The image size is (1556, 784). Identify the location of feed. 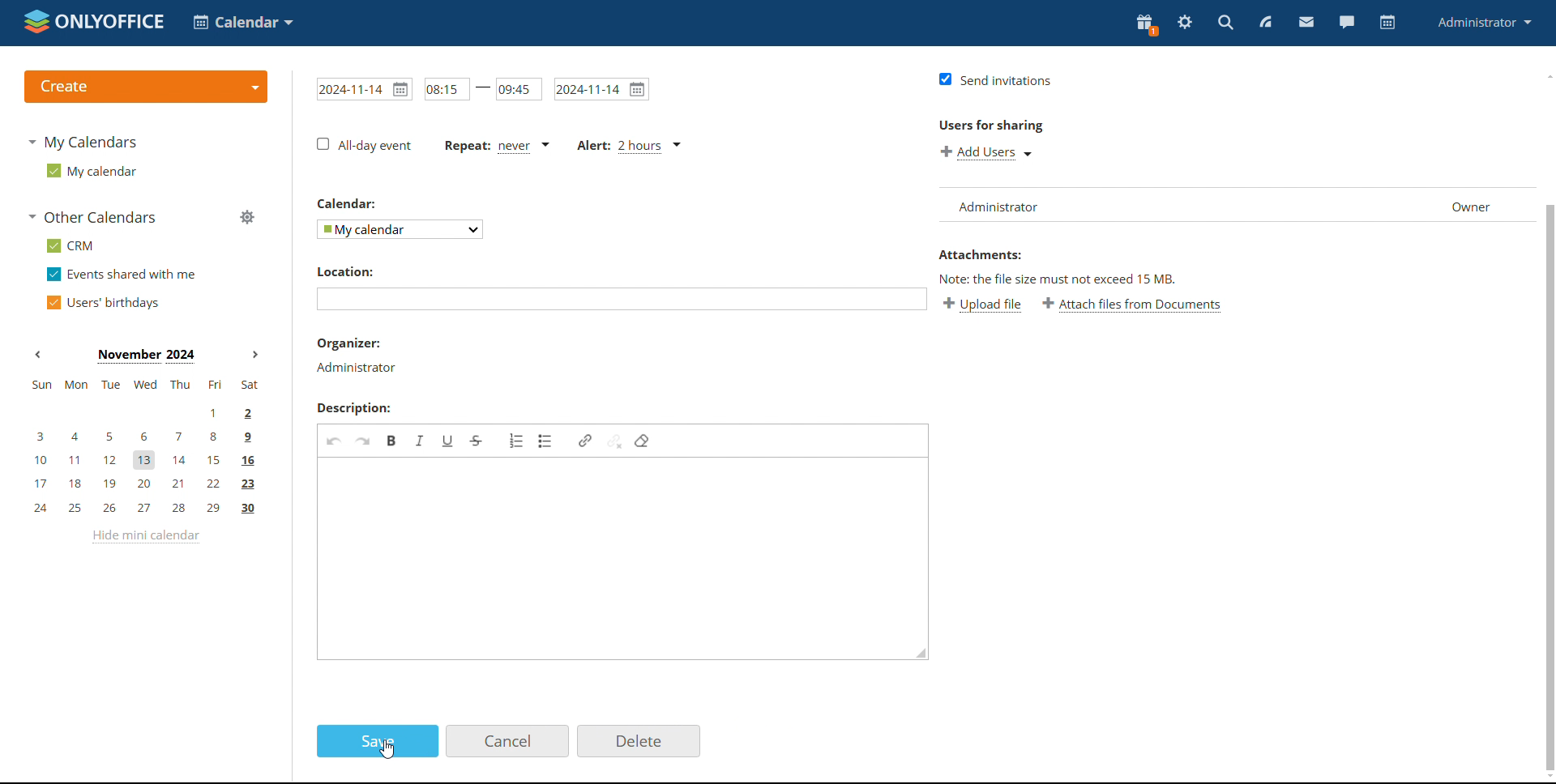
(1266, 24).